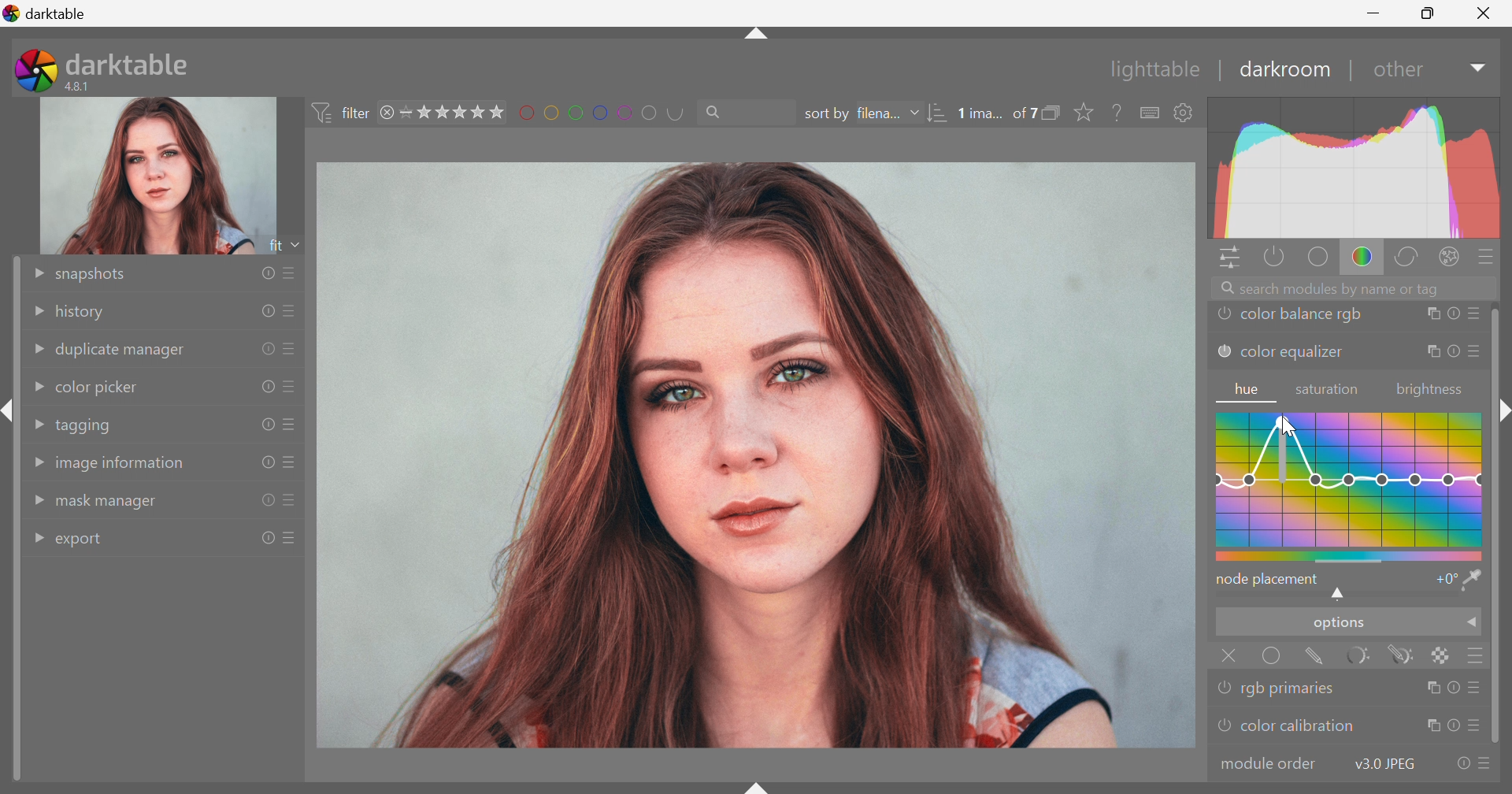 The height and width of the screenshot is (794, 1512). I want to click on collapse grouped images, so click(1056, 112).